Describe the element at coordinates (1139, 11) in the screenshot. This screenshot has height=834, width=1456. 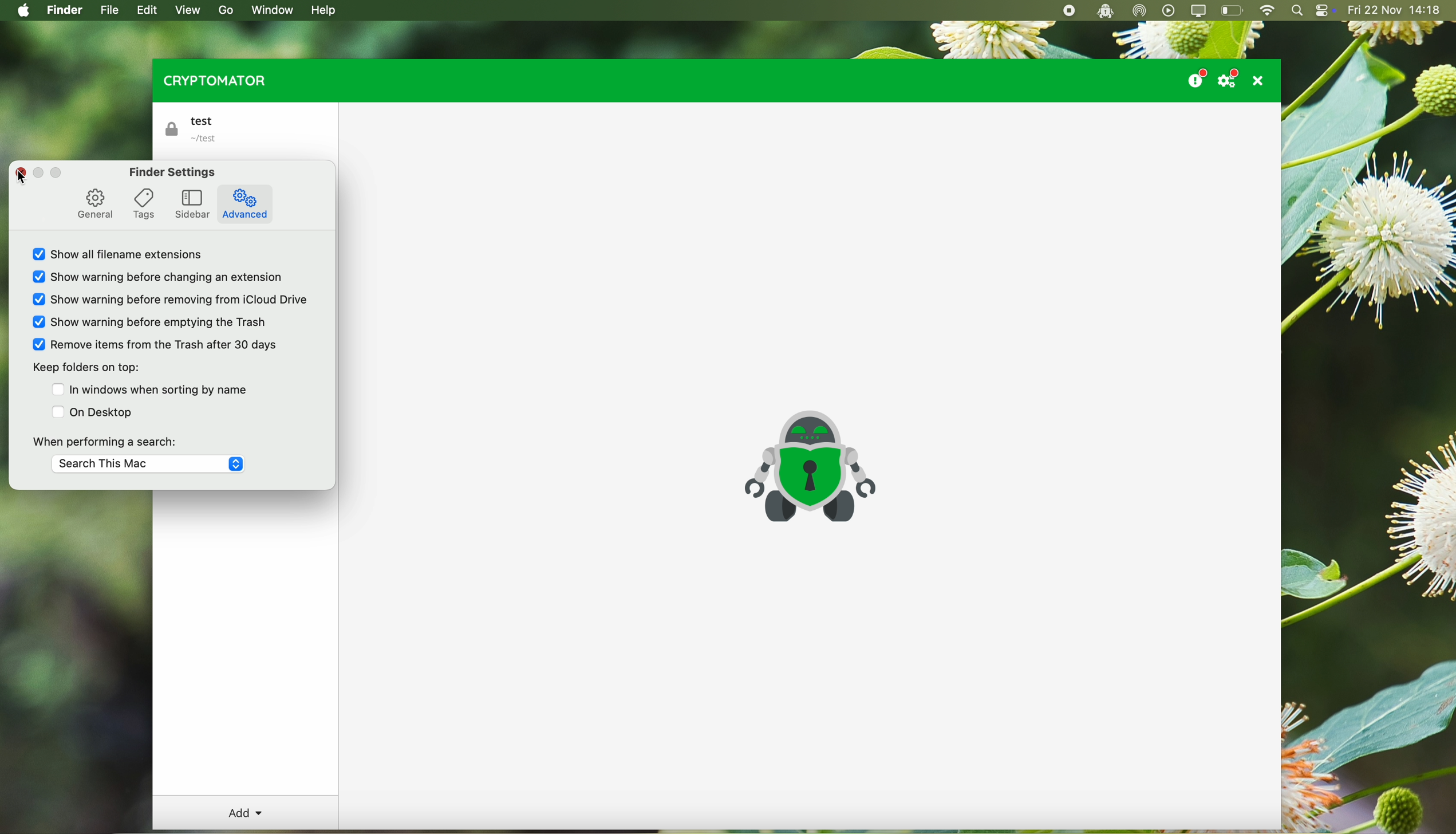
I see `airdrop` at that location.